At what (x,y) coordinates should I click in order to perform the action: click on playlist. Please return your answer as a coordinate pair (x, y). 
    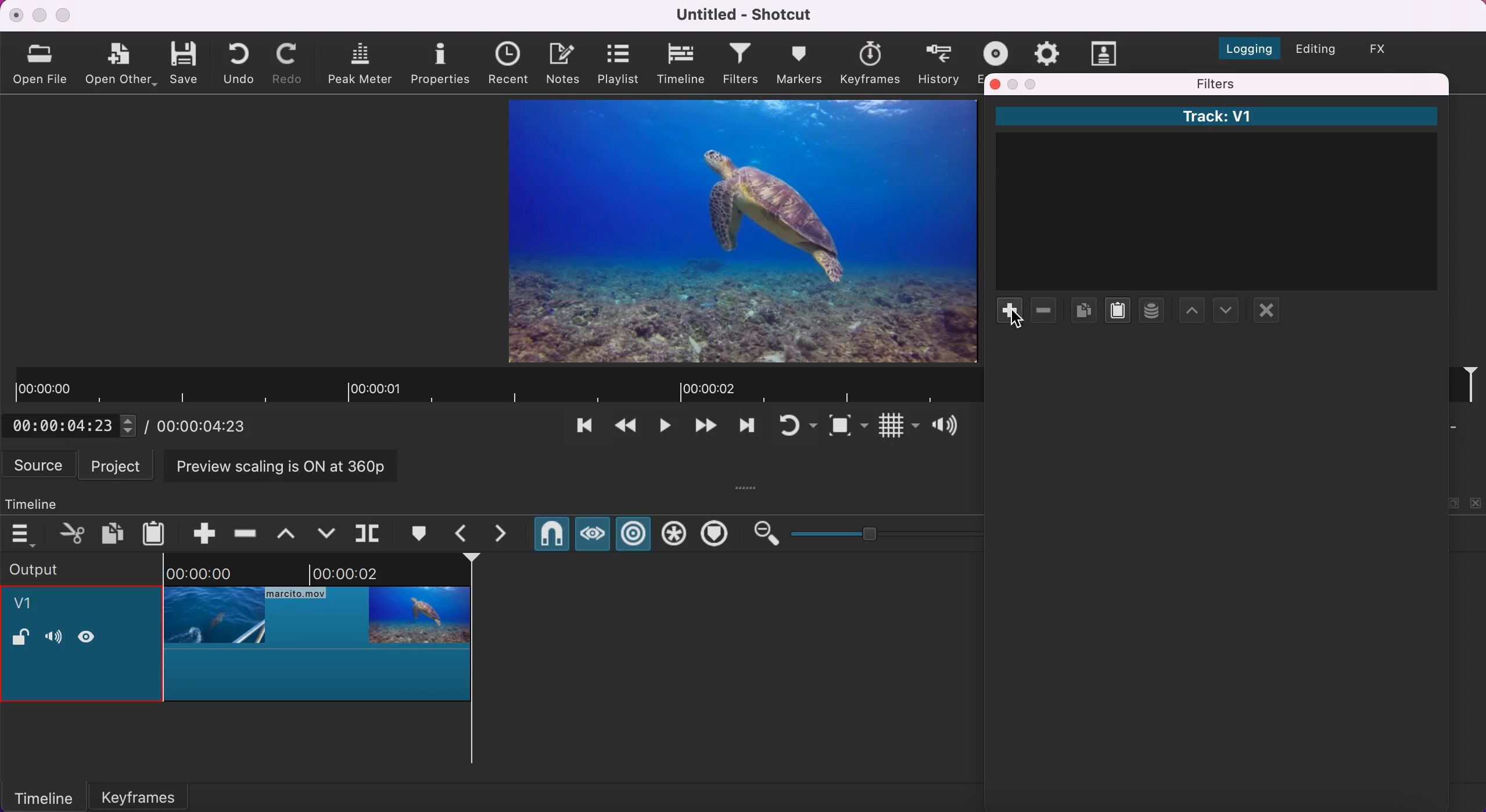
    Looking at the image, I should click on (618, 63).